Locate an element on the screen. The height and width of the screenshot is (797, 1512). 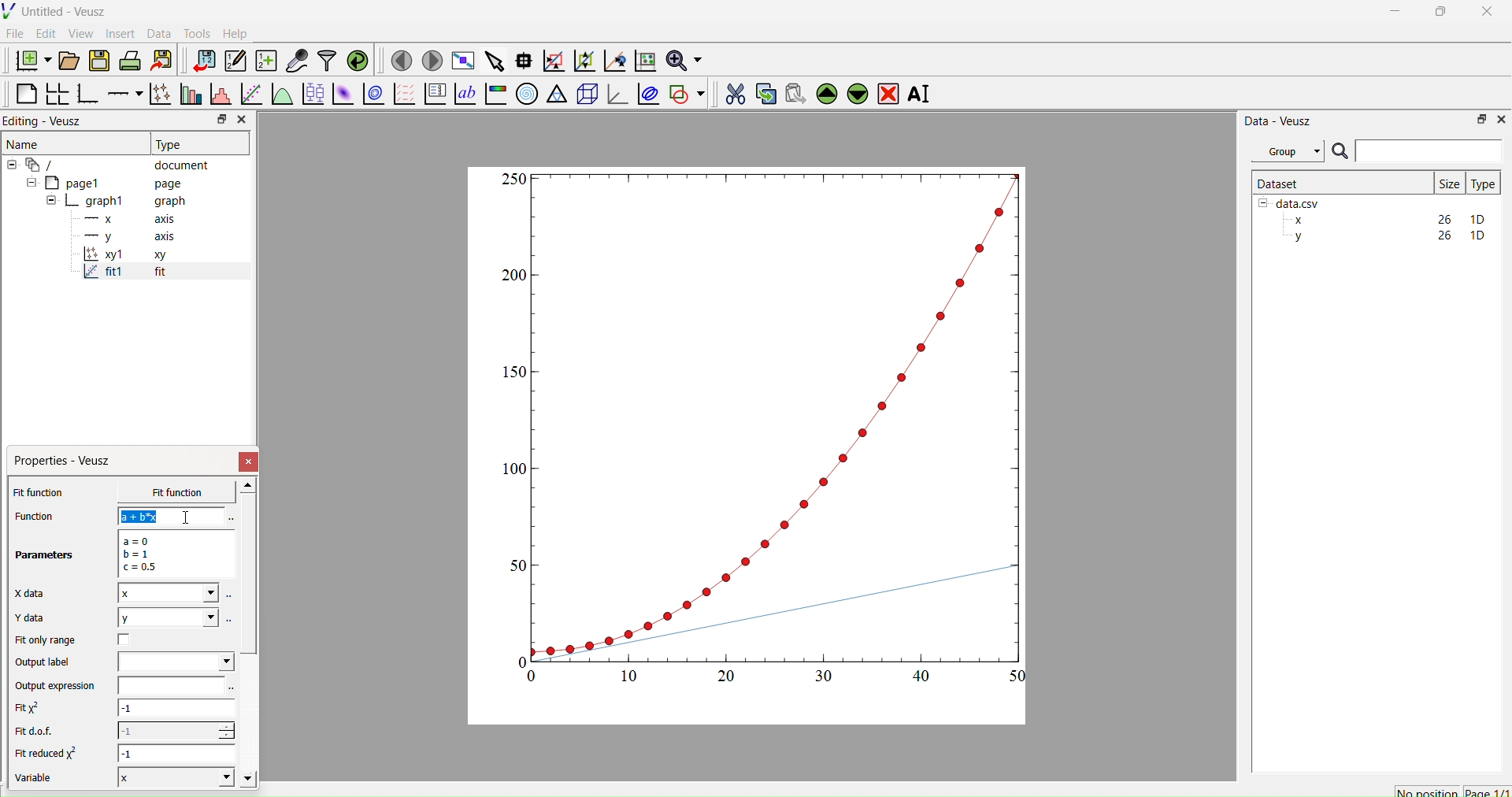
Read data points is located at coordinates (522, 58).